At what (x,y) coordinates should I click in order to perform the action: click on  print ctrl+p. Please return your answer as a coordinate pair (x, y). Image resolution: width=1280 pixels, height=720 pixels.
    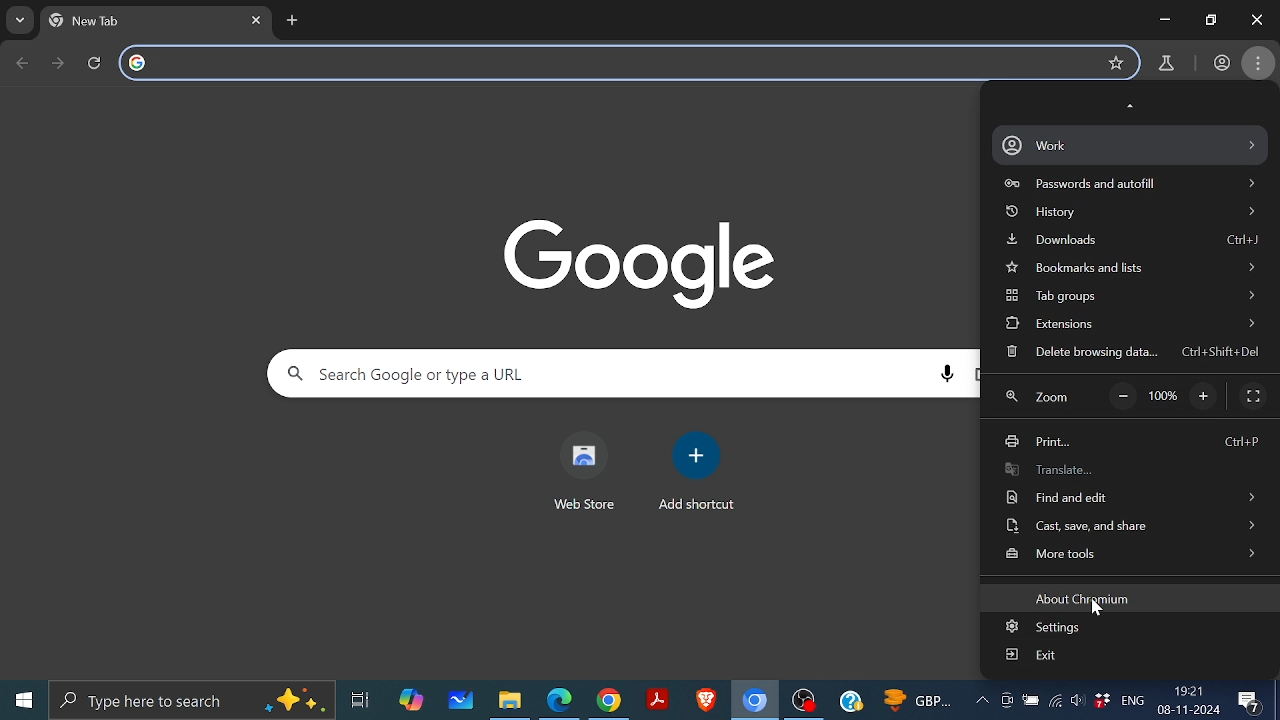
    Looking at the image, I should click on (1128, 443).